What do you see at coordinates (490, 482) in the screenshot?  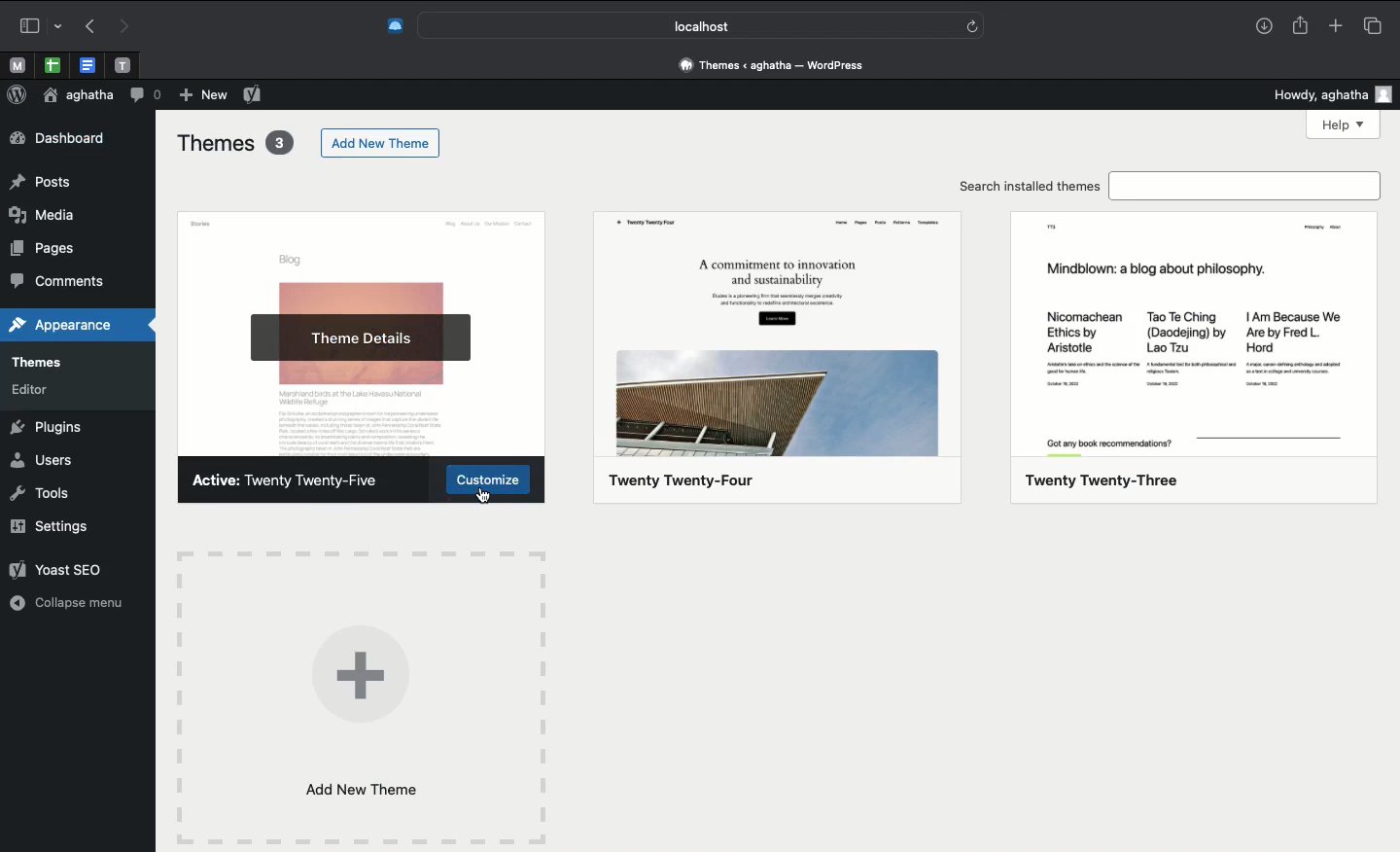 I see `Customize` at bounding box center [490, 482].